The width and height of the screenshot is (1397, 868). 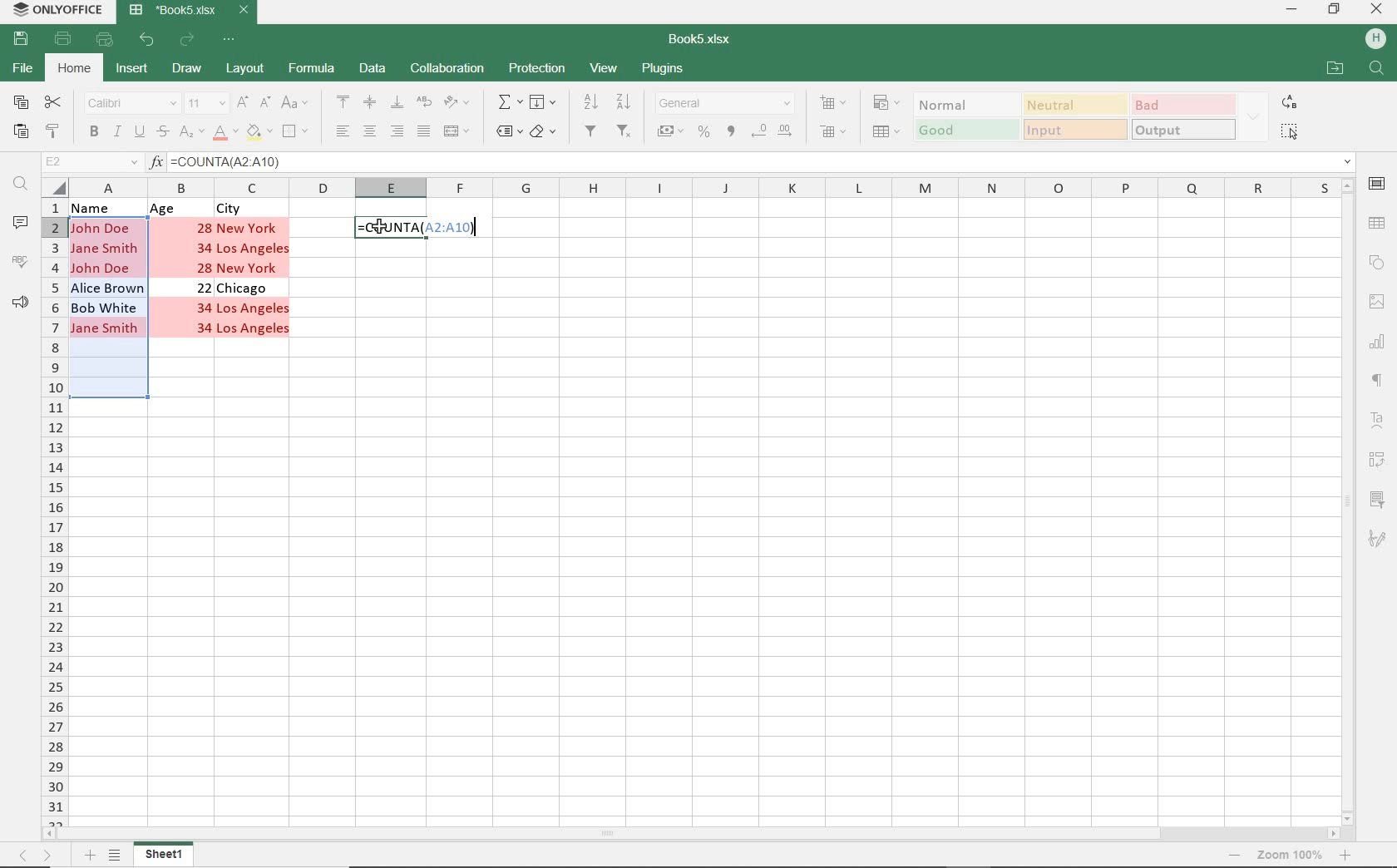 I want to click on COPY, so click(x=19, y=104).